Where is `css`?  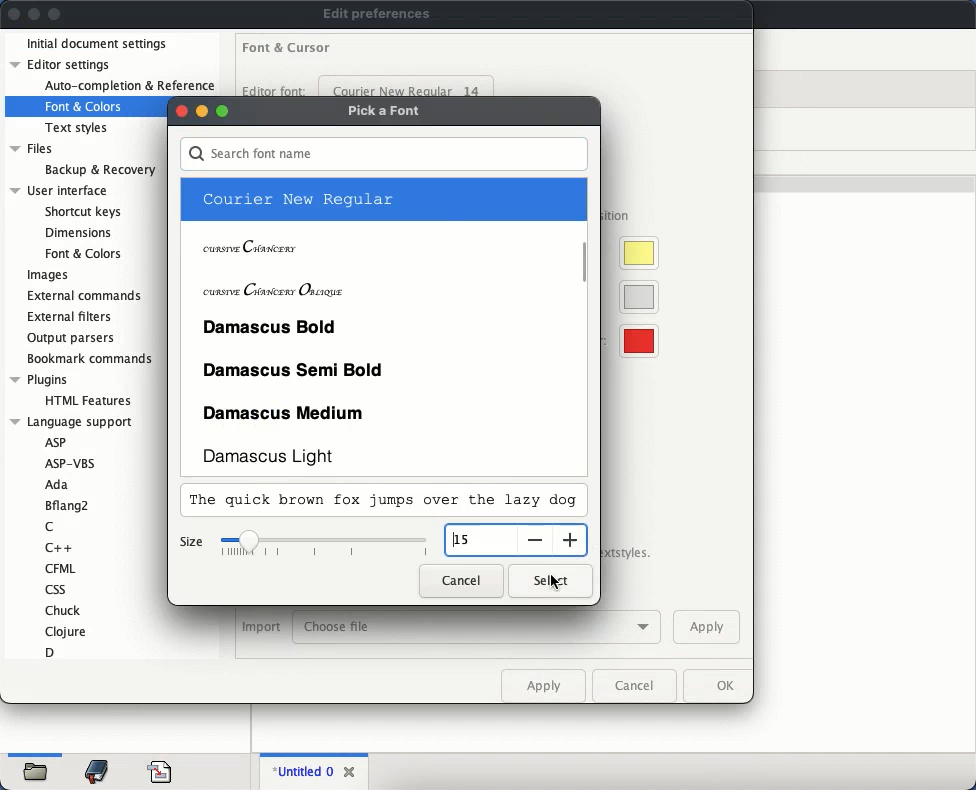 css is located at coordinates (54, 589).